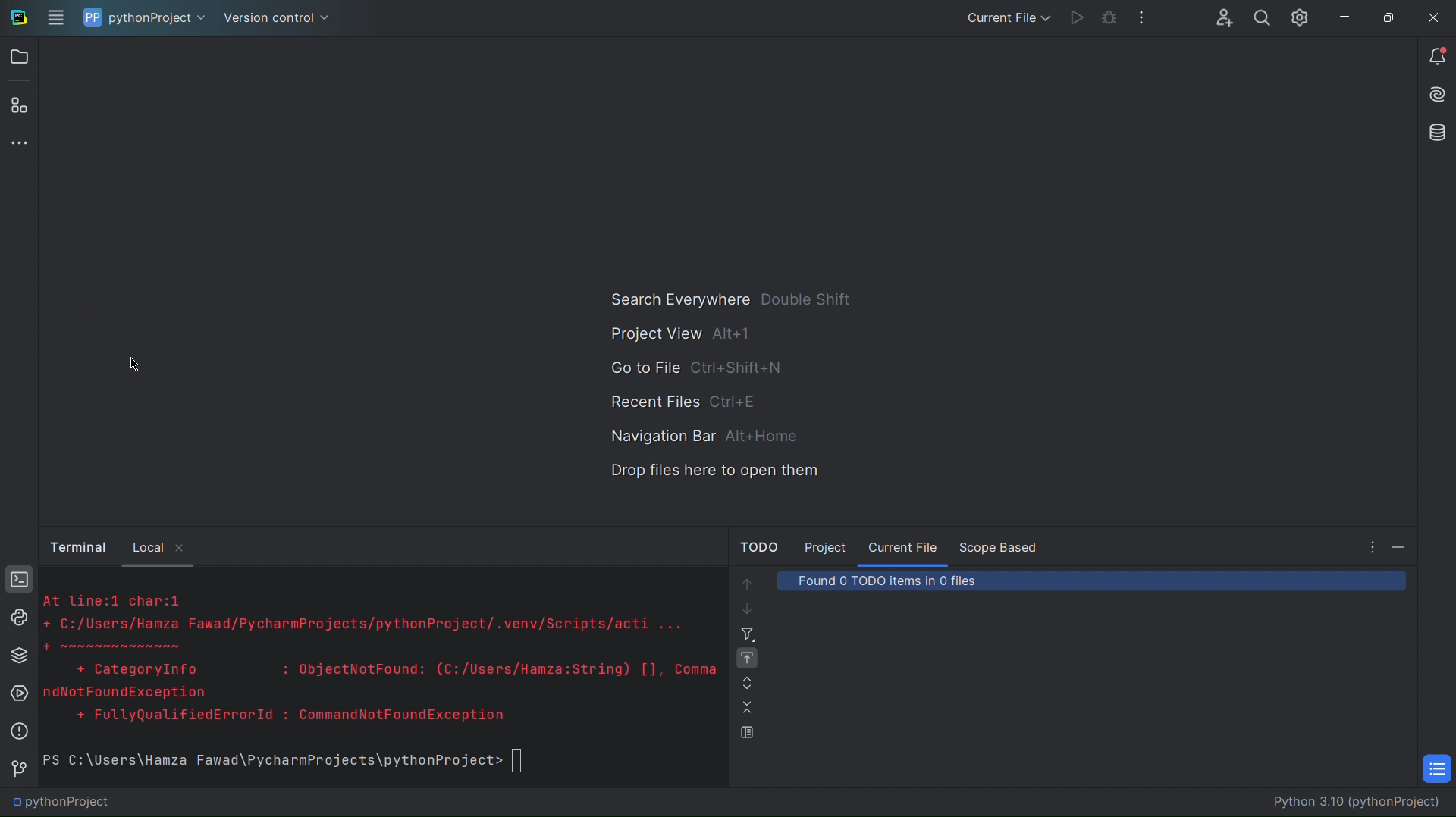 This screenshot has width=1456, height=817. I want to click on pythonProject, so click(143, 17).